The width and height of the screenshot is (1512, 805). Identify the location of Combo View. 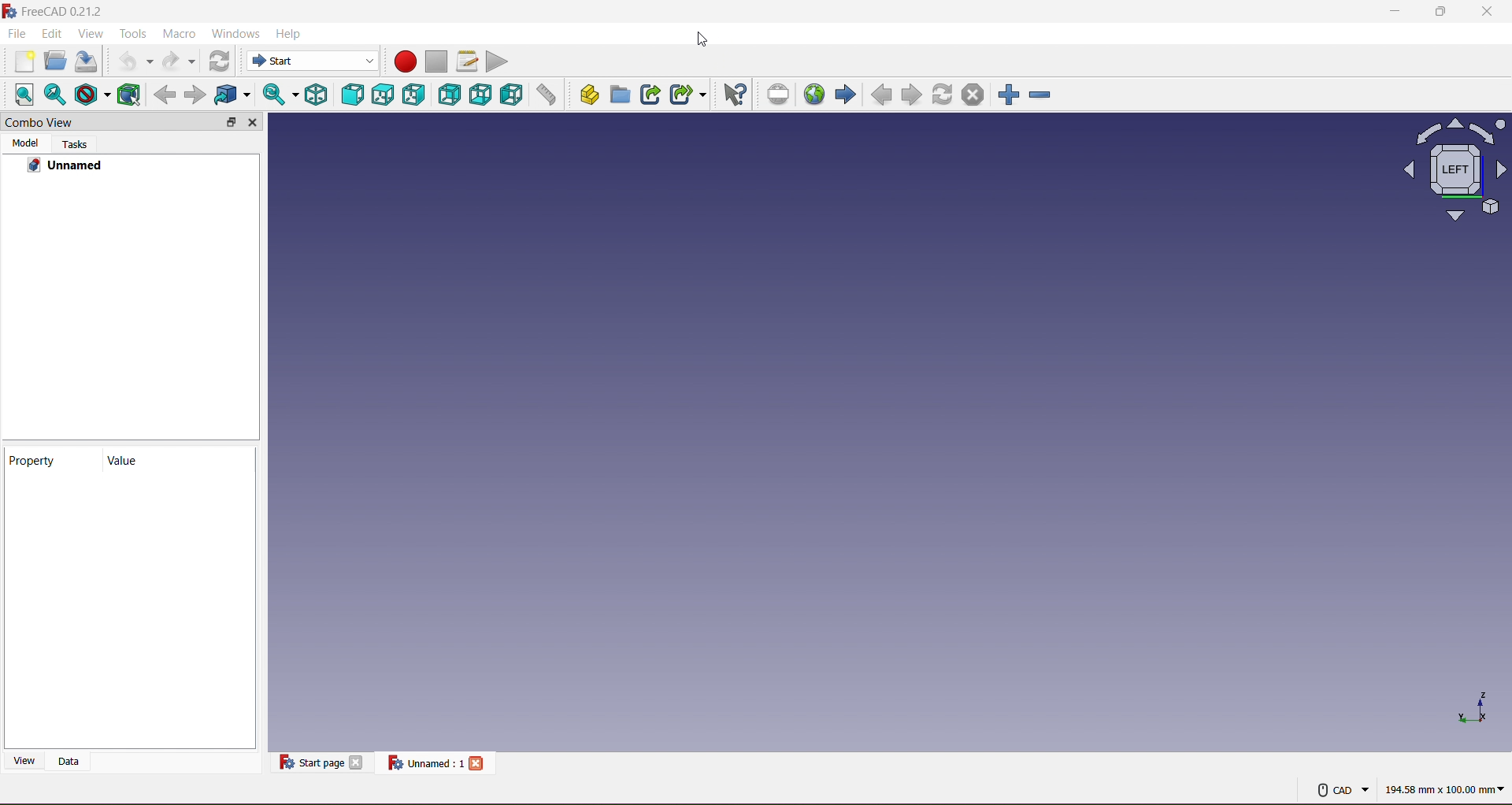
(41, 122).